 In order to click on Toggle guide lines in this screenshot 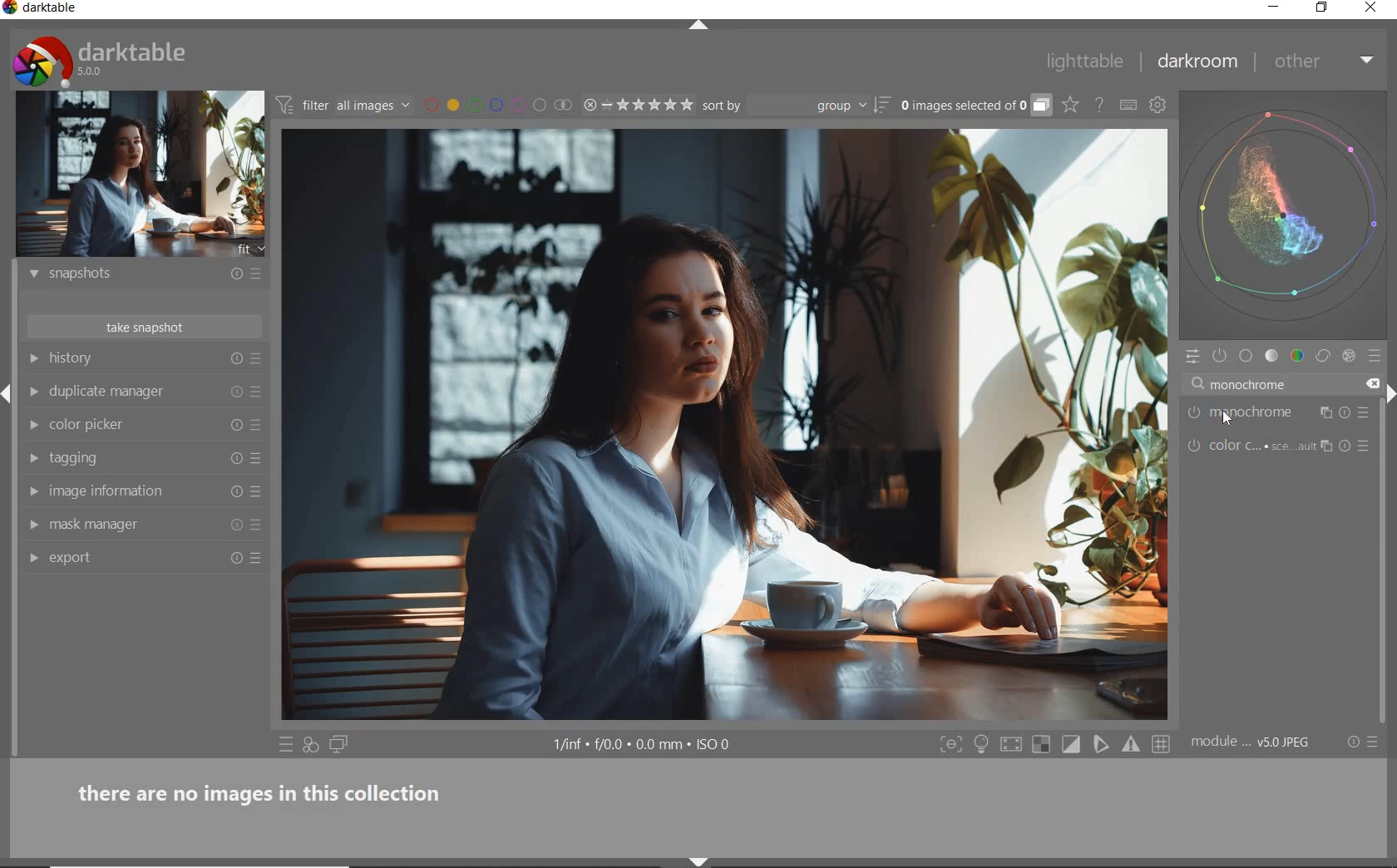, I will do `click(1163, 743)`.